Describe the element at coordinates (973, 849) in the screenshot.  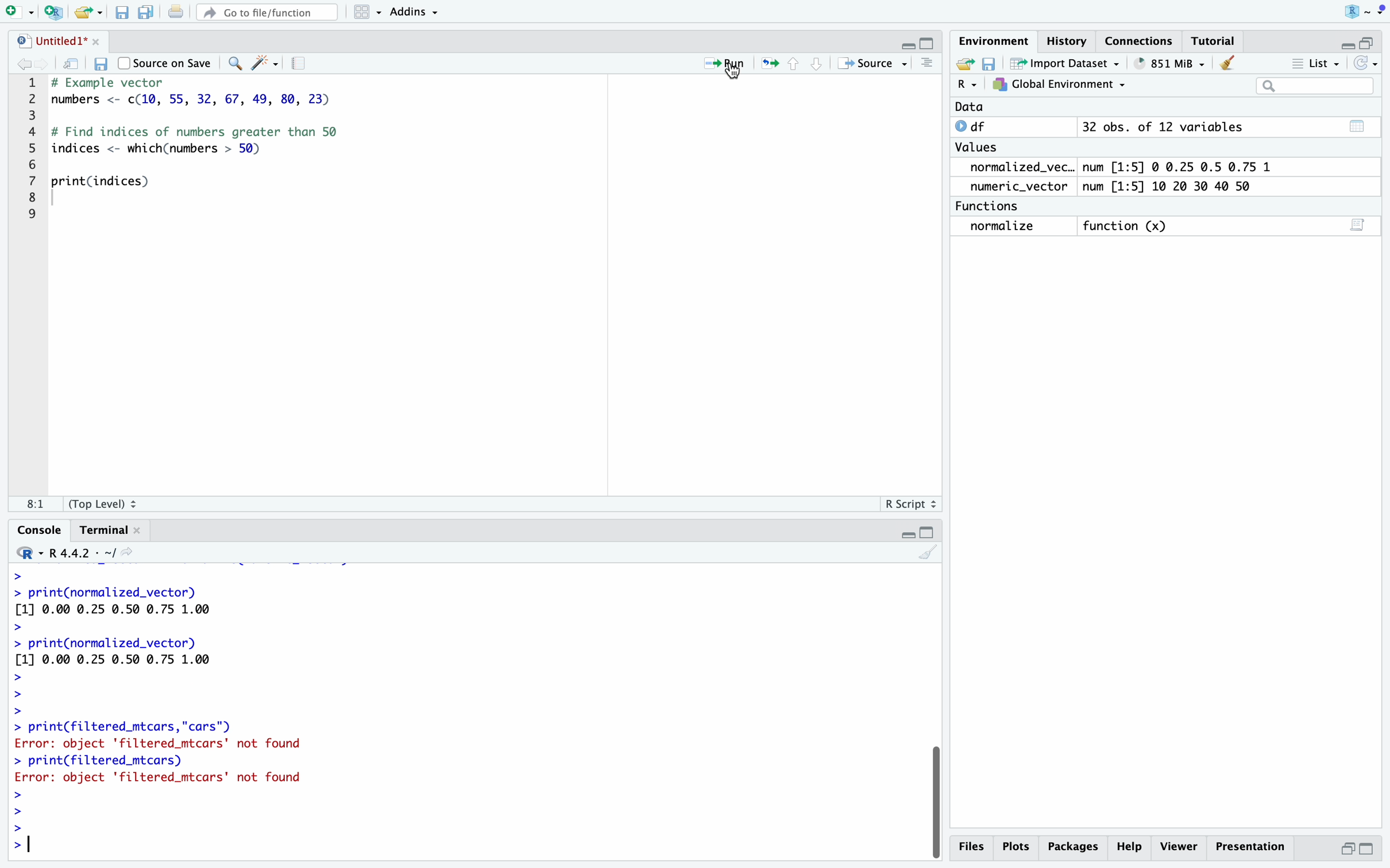
I see `Files` at that location.